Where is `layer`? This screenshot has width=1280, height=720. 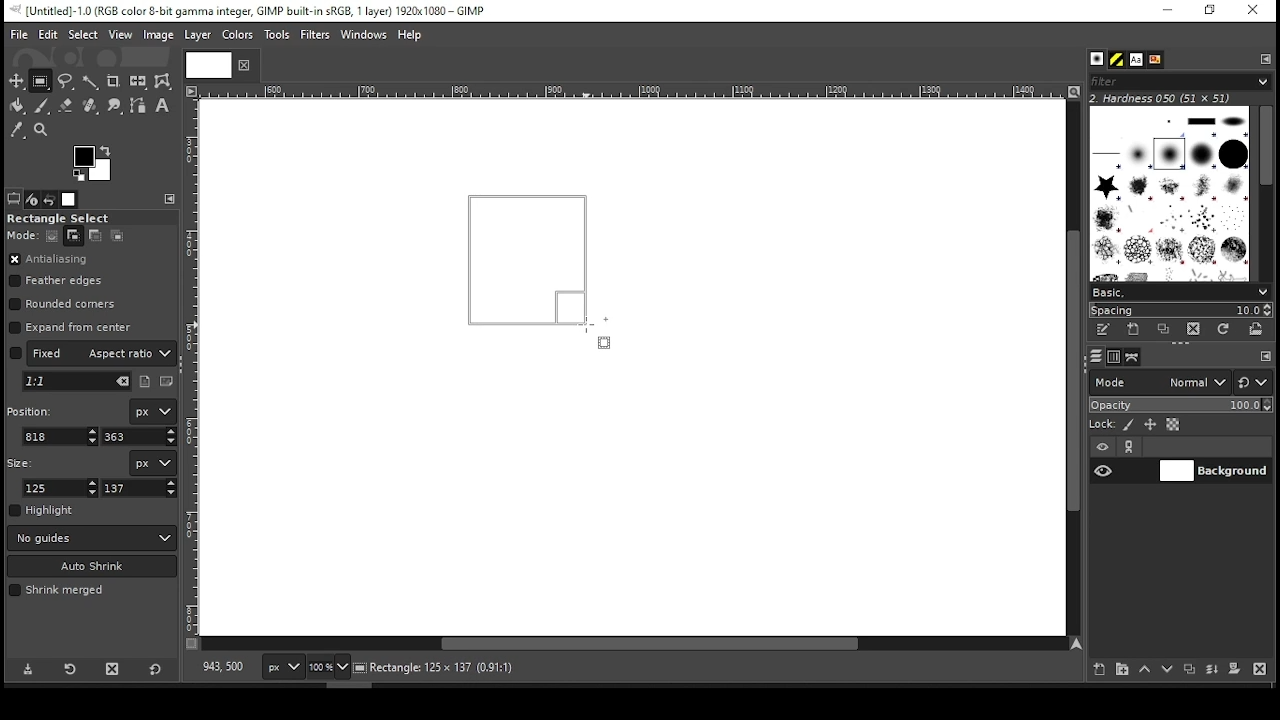 layer is located at coordinates (196, 35).